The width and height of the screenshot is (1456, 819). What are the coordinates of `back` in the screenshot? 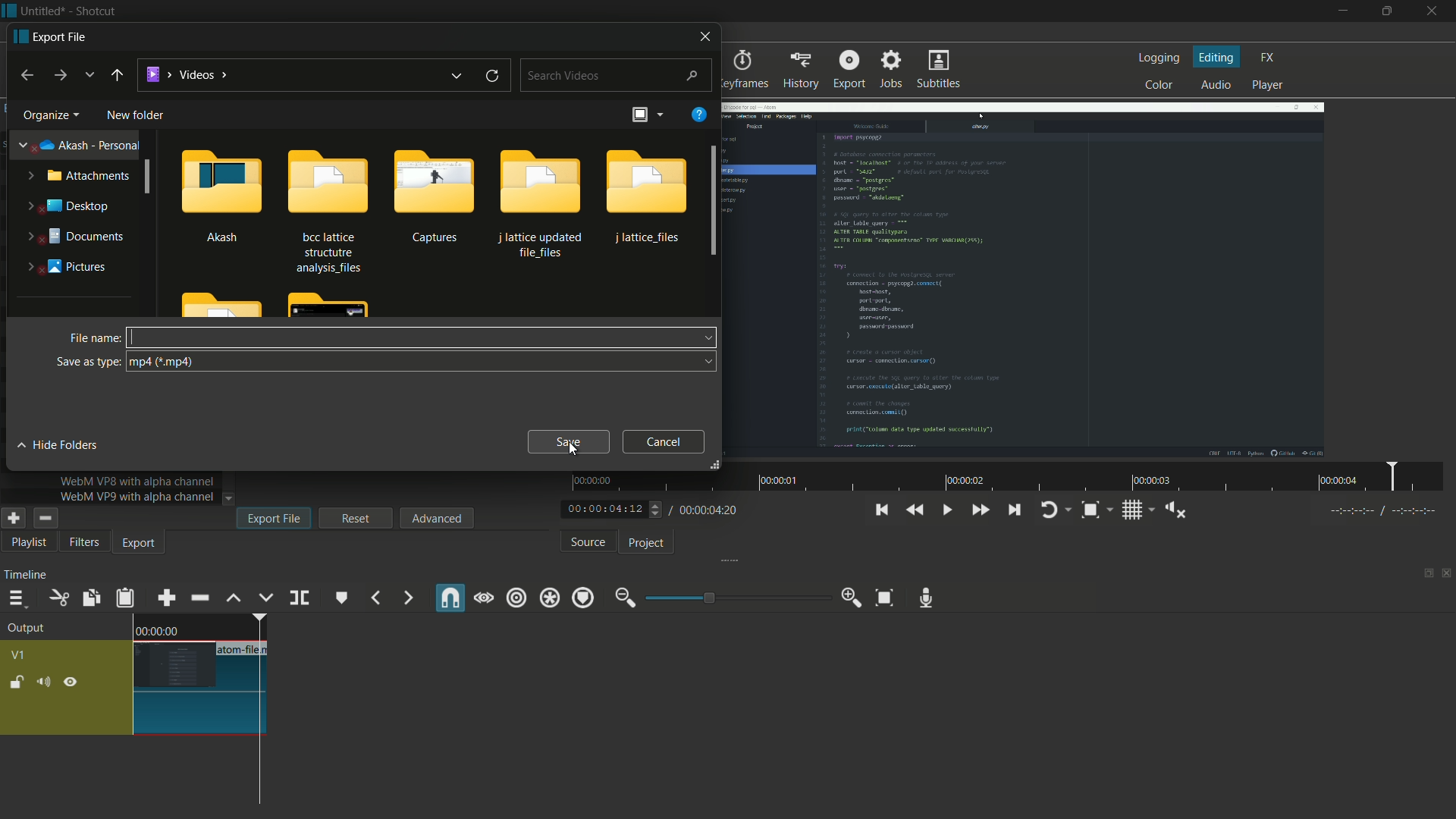 It's located at (26, 76).